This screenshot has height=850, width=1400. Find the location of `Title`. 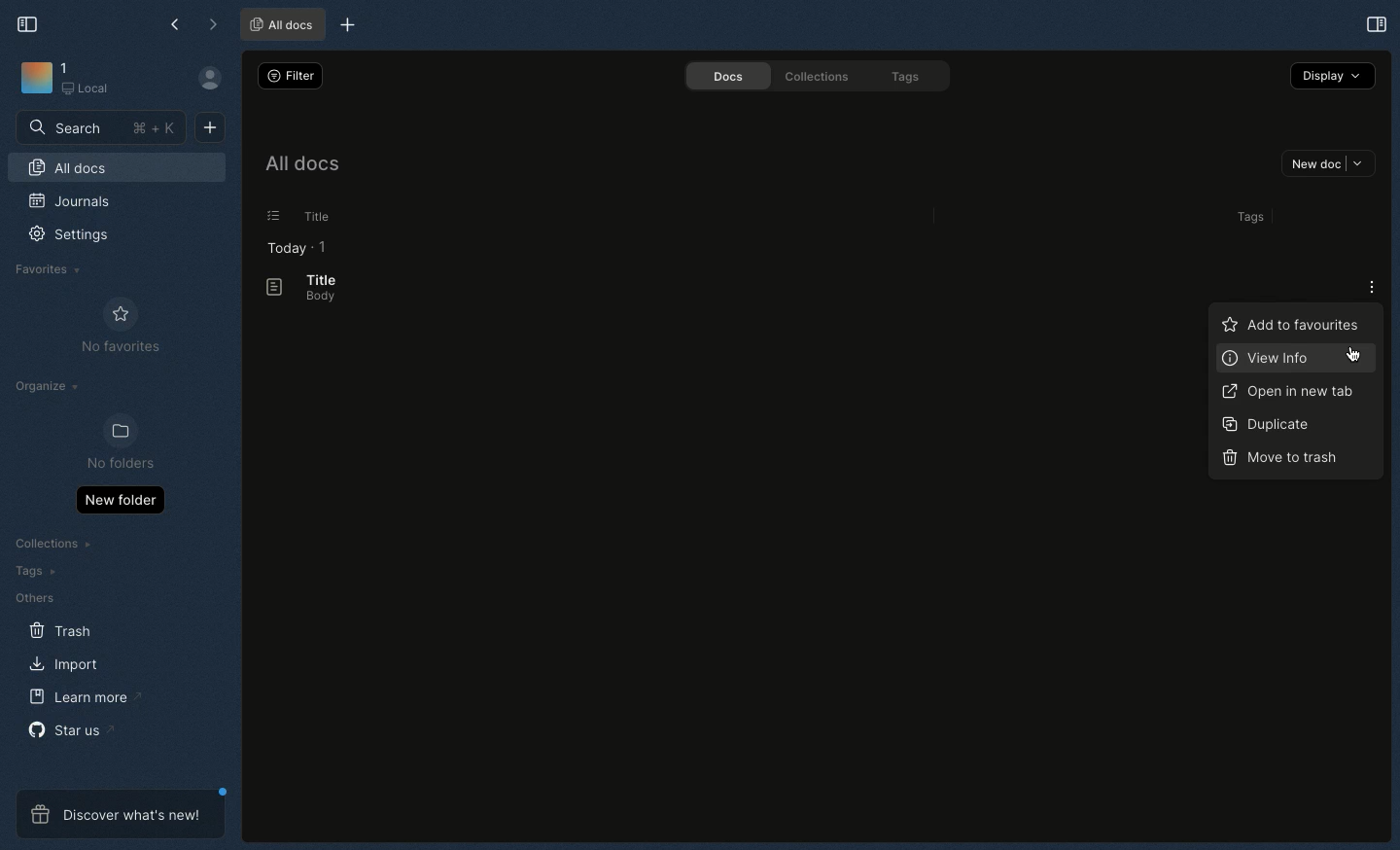

Title is located at coordinates (319, 279).